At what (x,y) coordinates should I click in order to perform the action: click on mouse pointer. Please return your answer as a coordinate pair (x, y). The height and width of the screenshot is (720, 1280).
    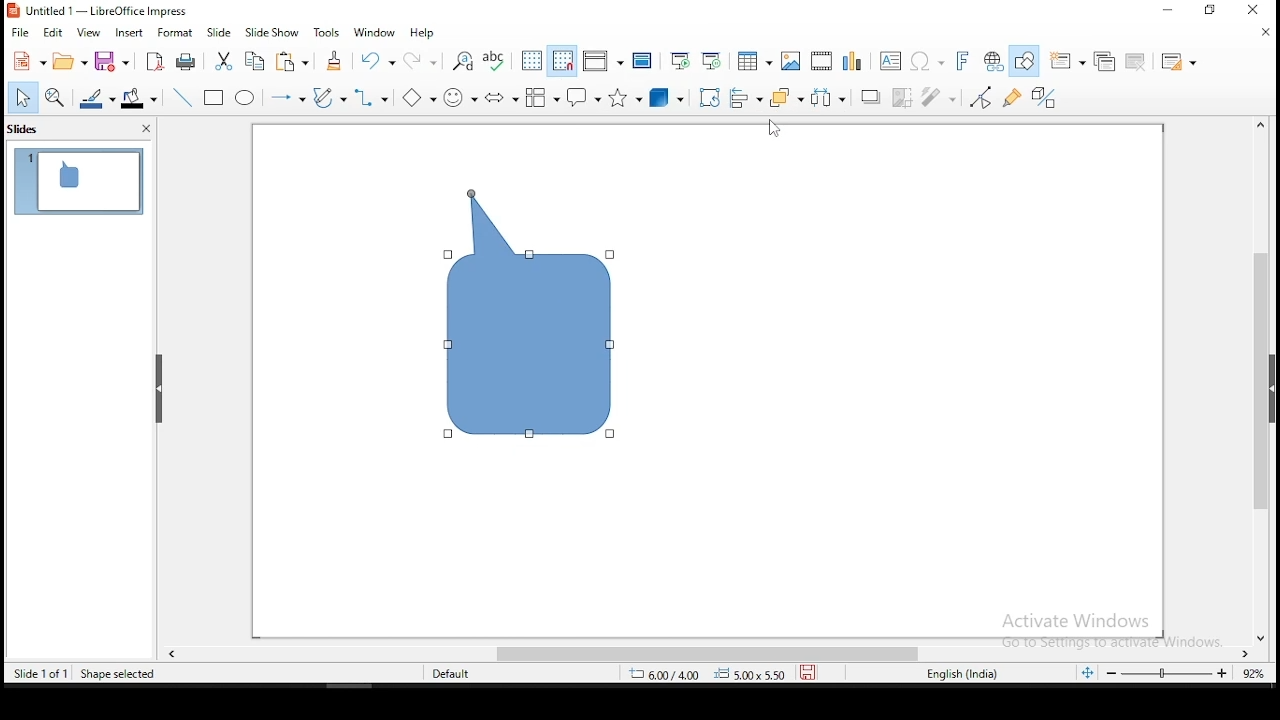
    Looking at the image, I should click on (774, 127).